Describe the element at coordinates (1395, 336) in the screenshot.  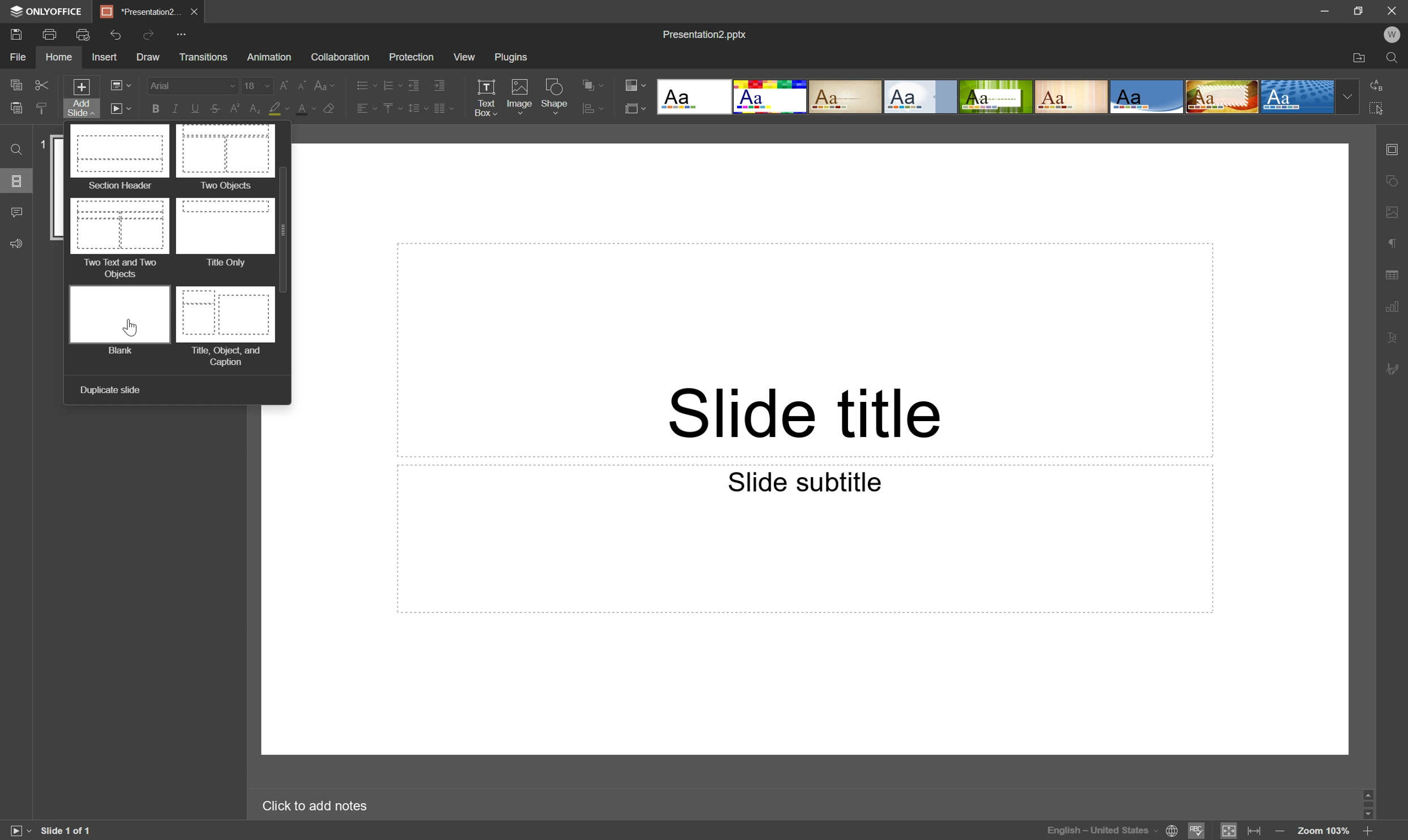
I see `Text Art settings` at that location.